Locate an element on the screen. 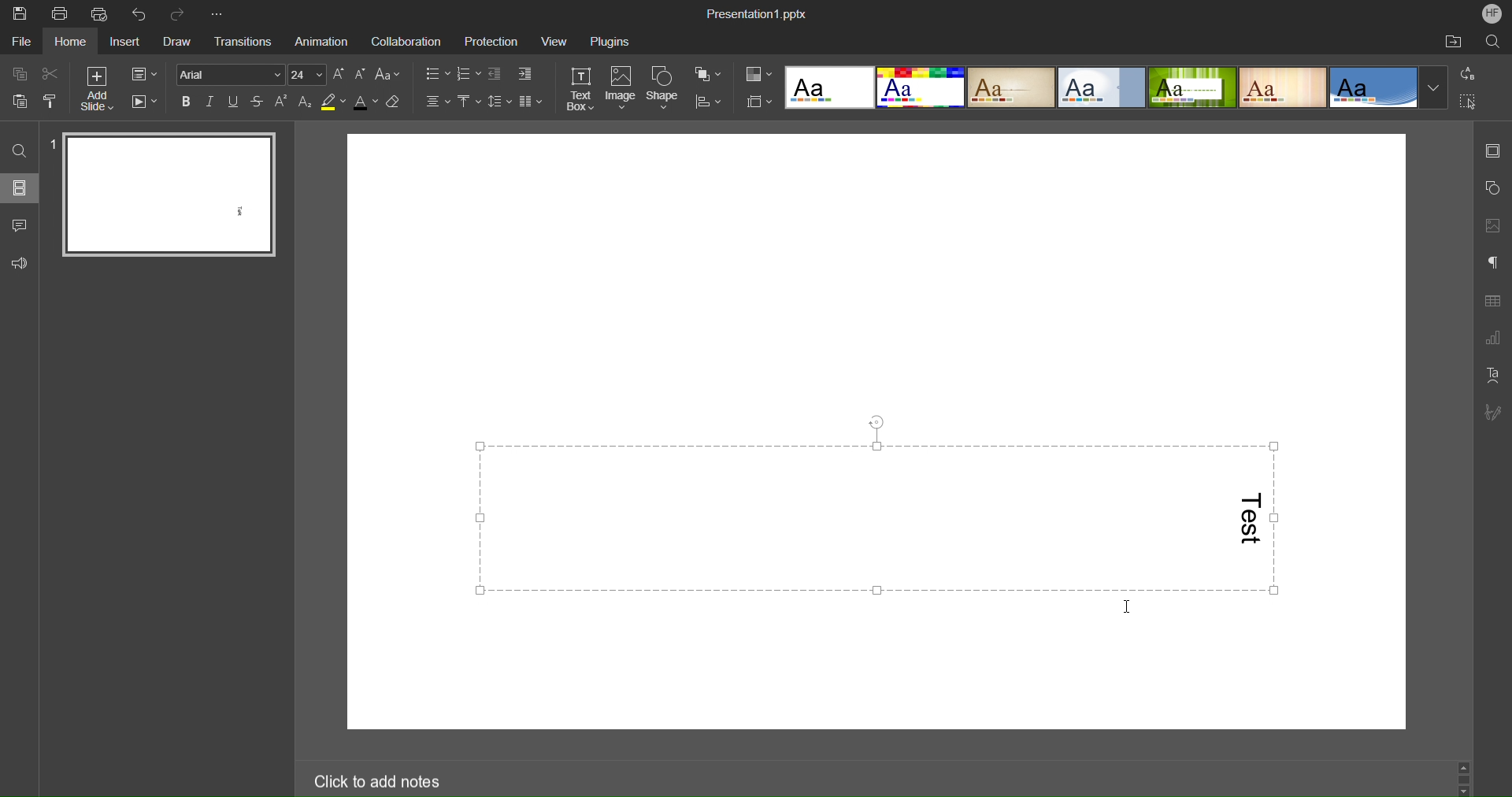 Image resolution: width=1512 pixels, height=797 pixels. Search is located at coordinates (1489, 42).